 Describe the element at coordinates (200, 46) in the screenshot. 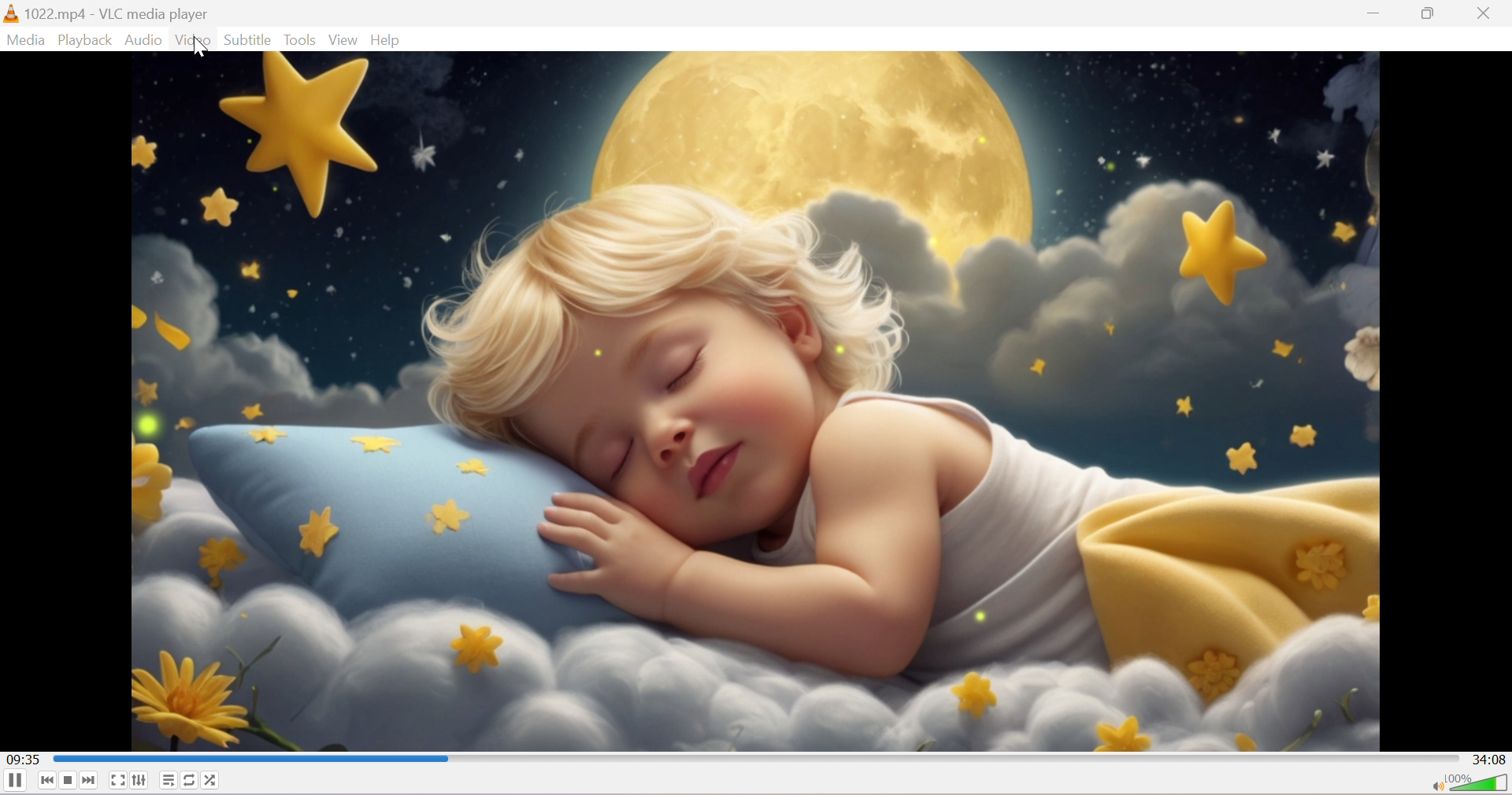

I see `cursor` at that location.